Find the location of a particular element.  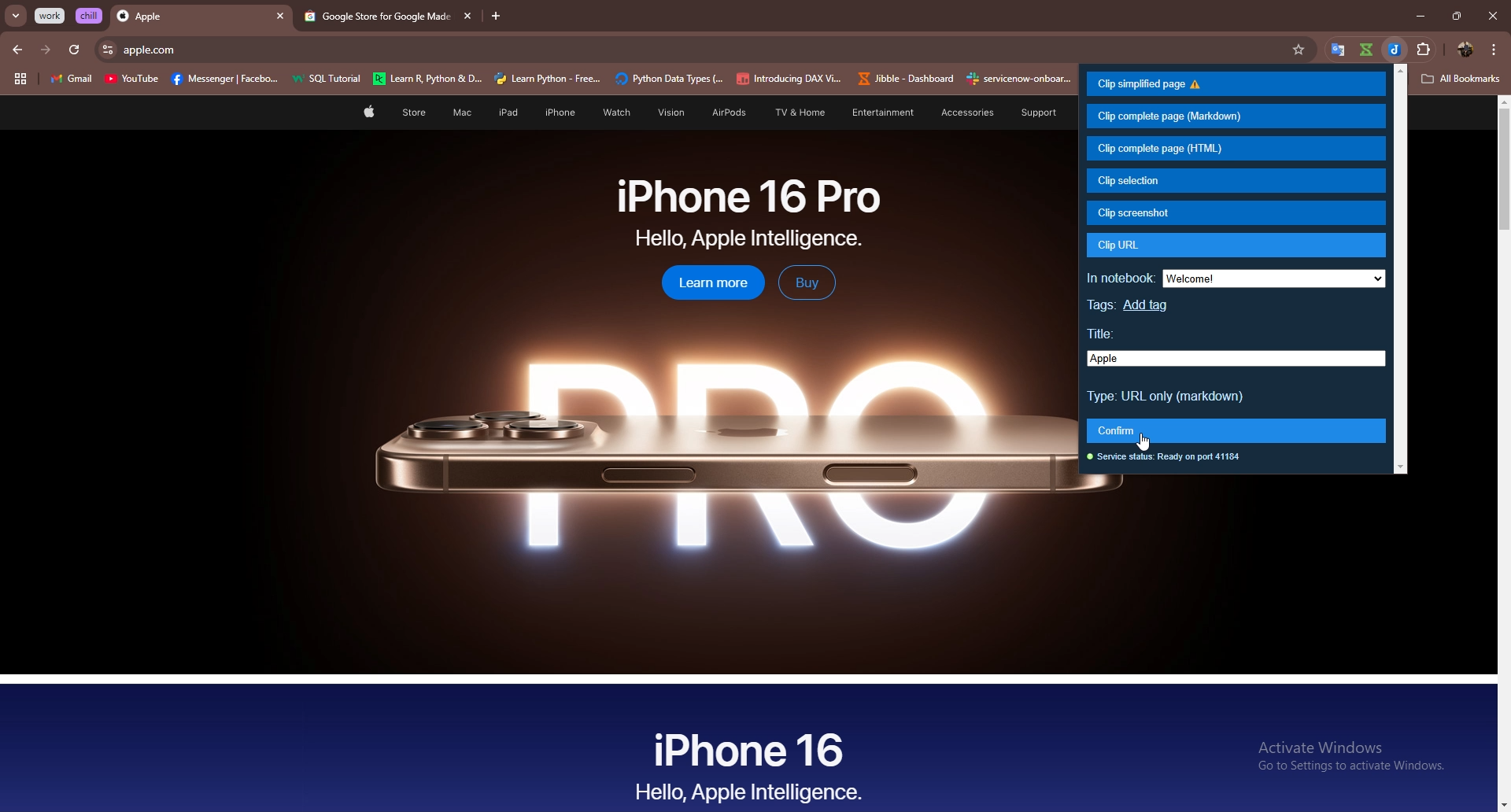

minimize is located at coordinates (1416, 17).